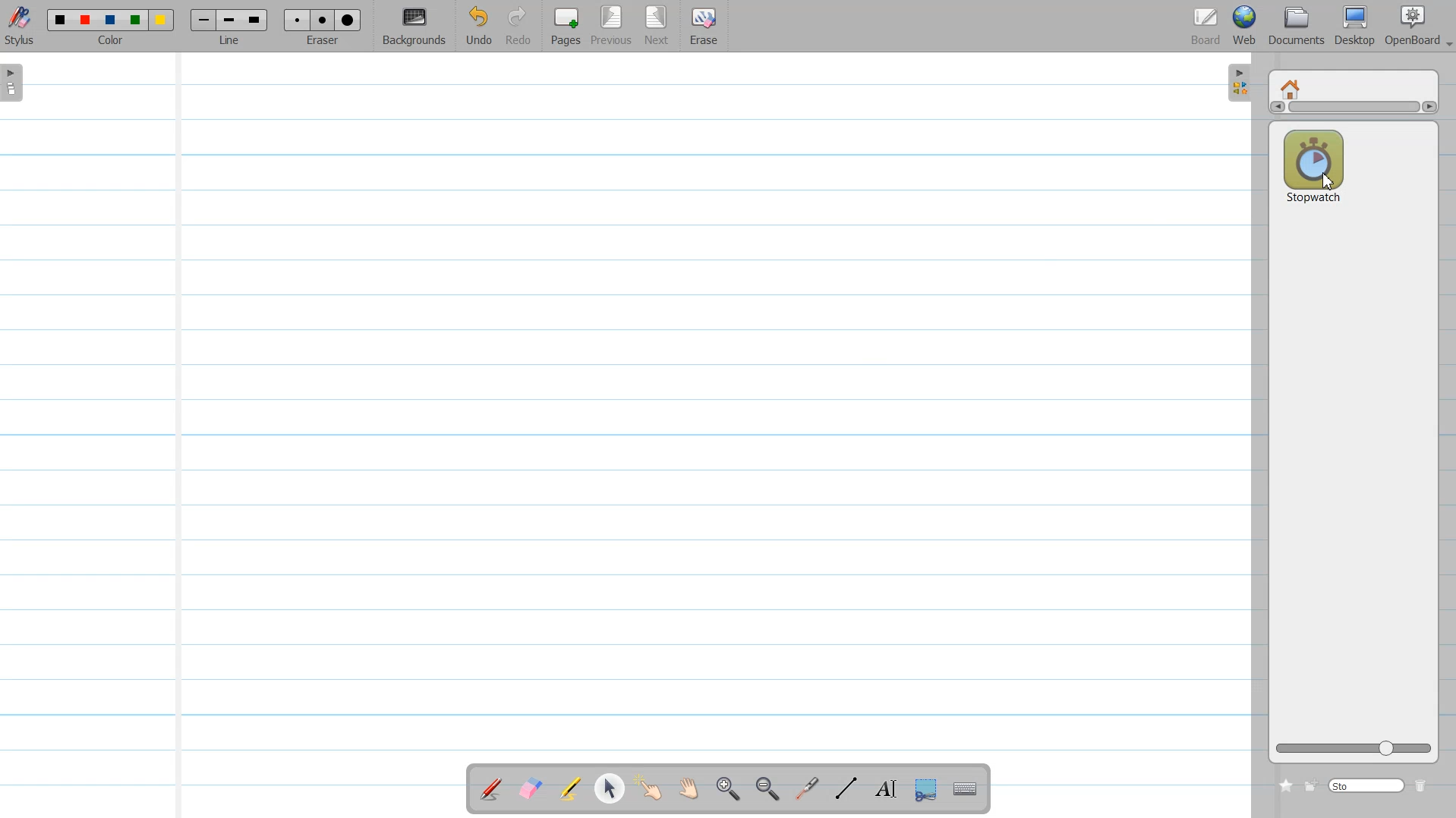 The width and height of the screenshot is (1456, 818). I want to click on Highlight, so click(569, 788).